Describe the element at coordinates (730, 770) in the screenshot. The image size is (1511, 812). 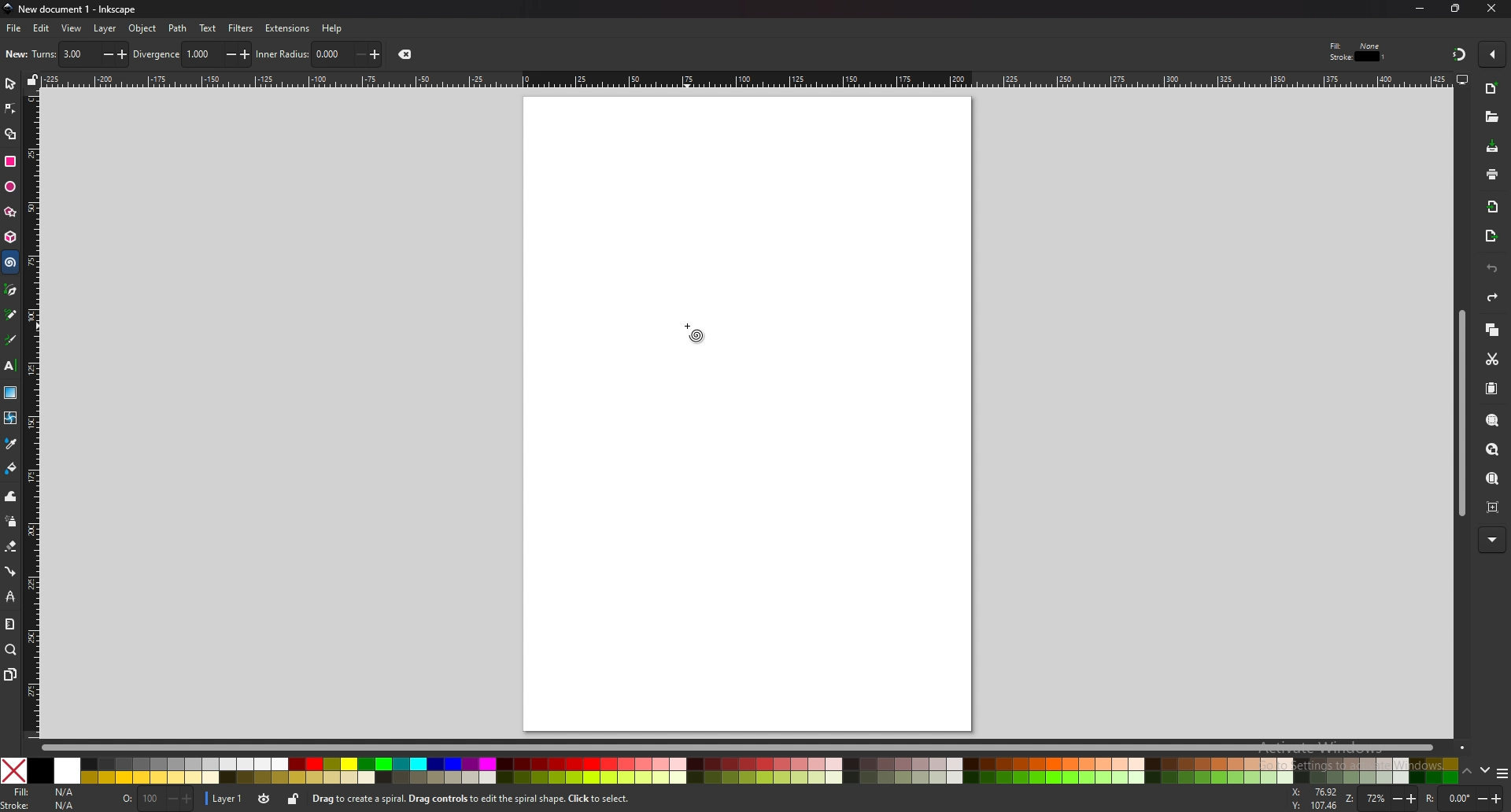
I see `colors` at that location.